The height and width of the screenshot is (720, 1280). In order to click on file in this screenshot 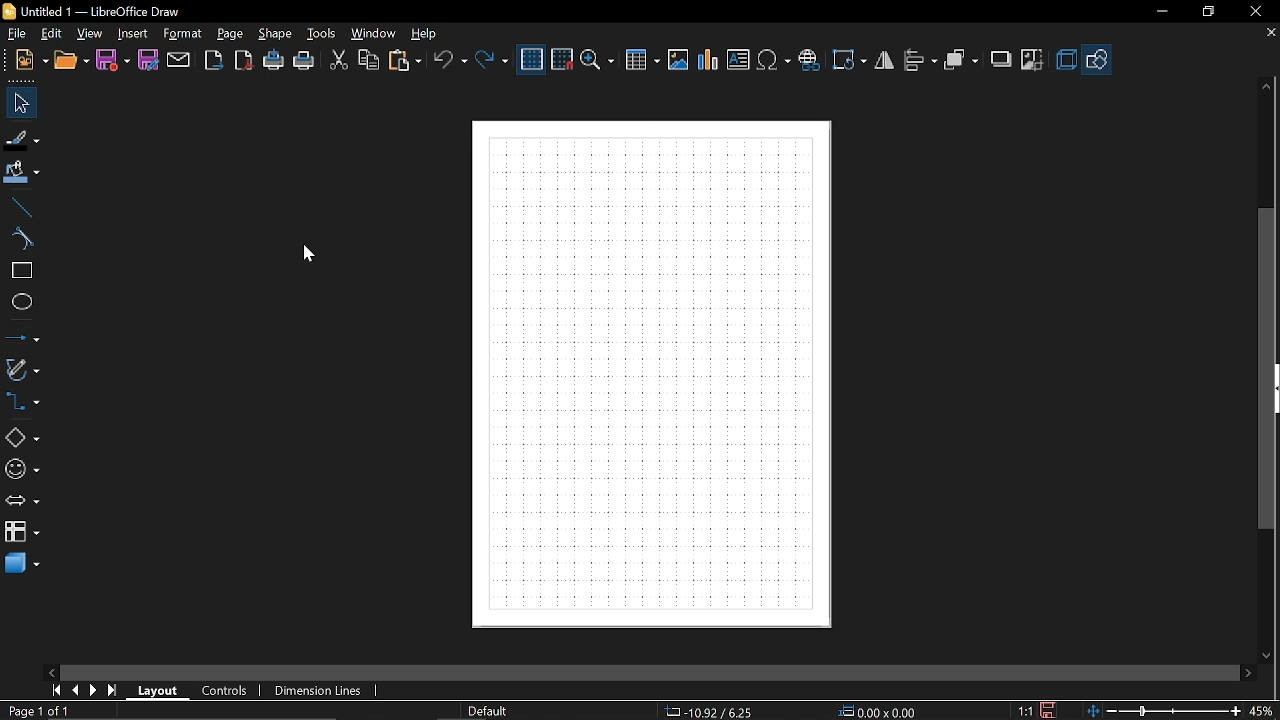, I will do `click(22, 35)`.